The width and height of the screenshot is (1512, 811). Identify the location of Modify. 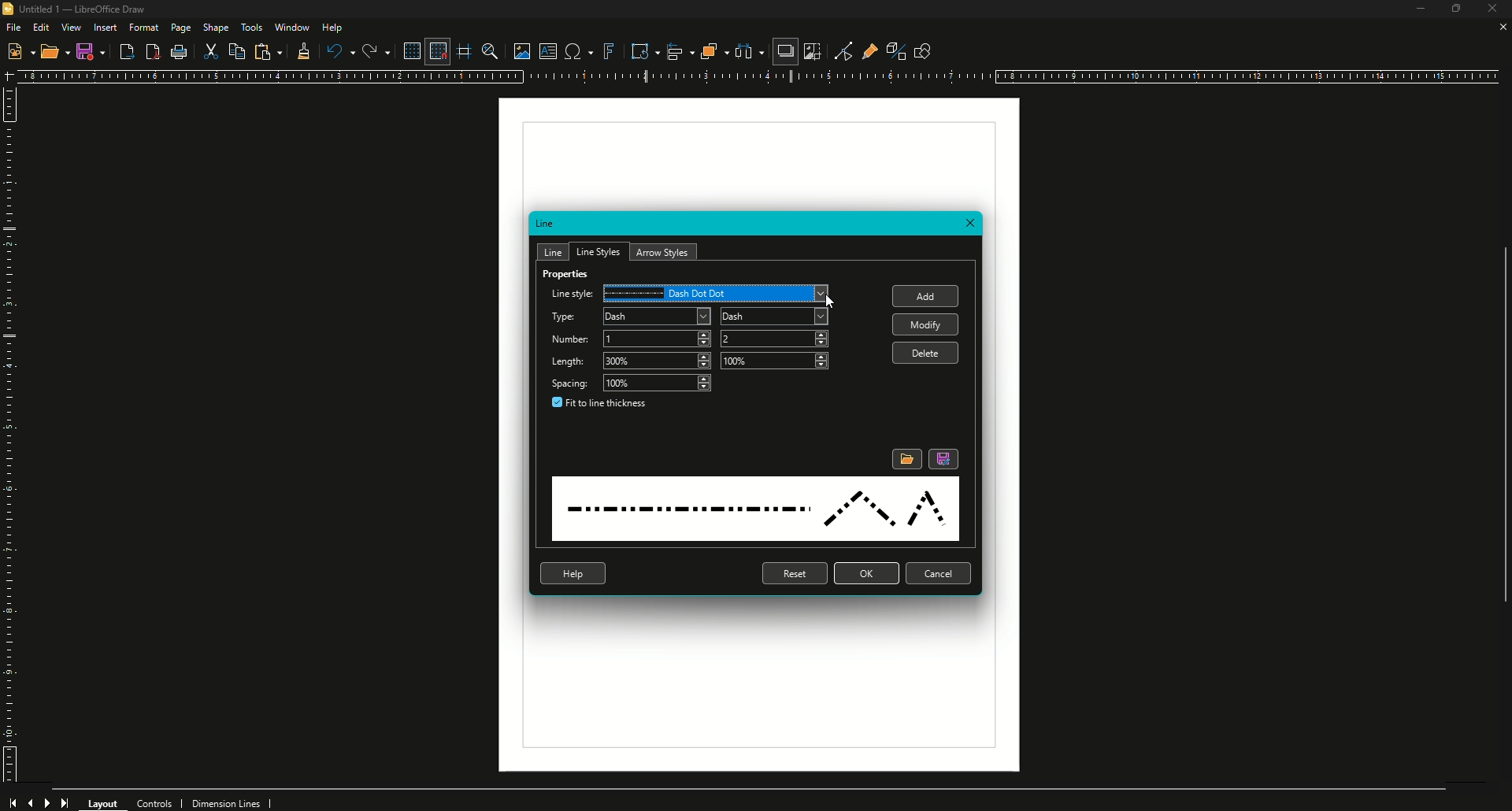
(924, 324).